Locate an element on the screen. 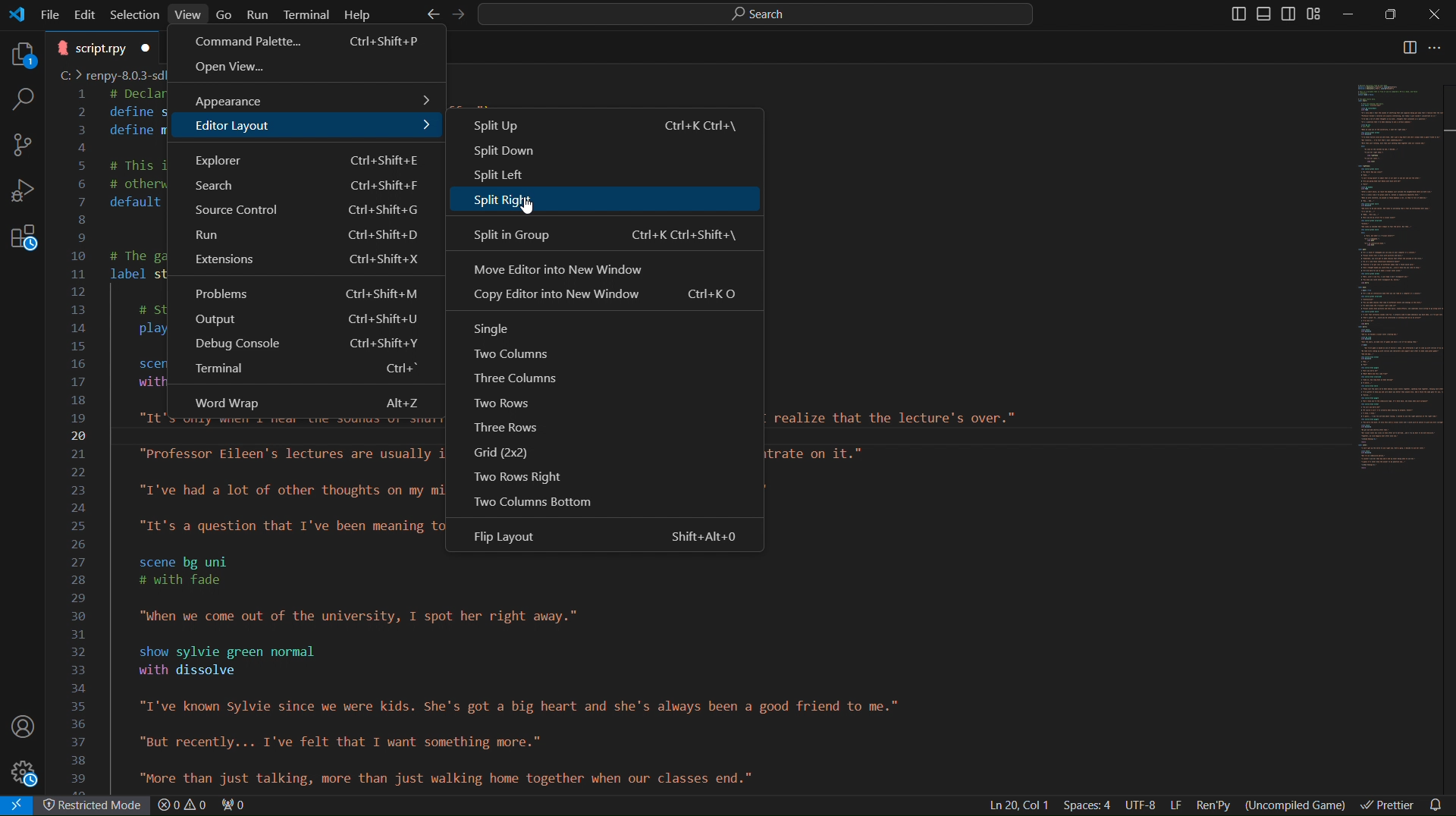  Go is located at coordinates (225, 13).